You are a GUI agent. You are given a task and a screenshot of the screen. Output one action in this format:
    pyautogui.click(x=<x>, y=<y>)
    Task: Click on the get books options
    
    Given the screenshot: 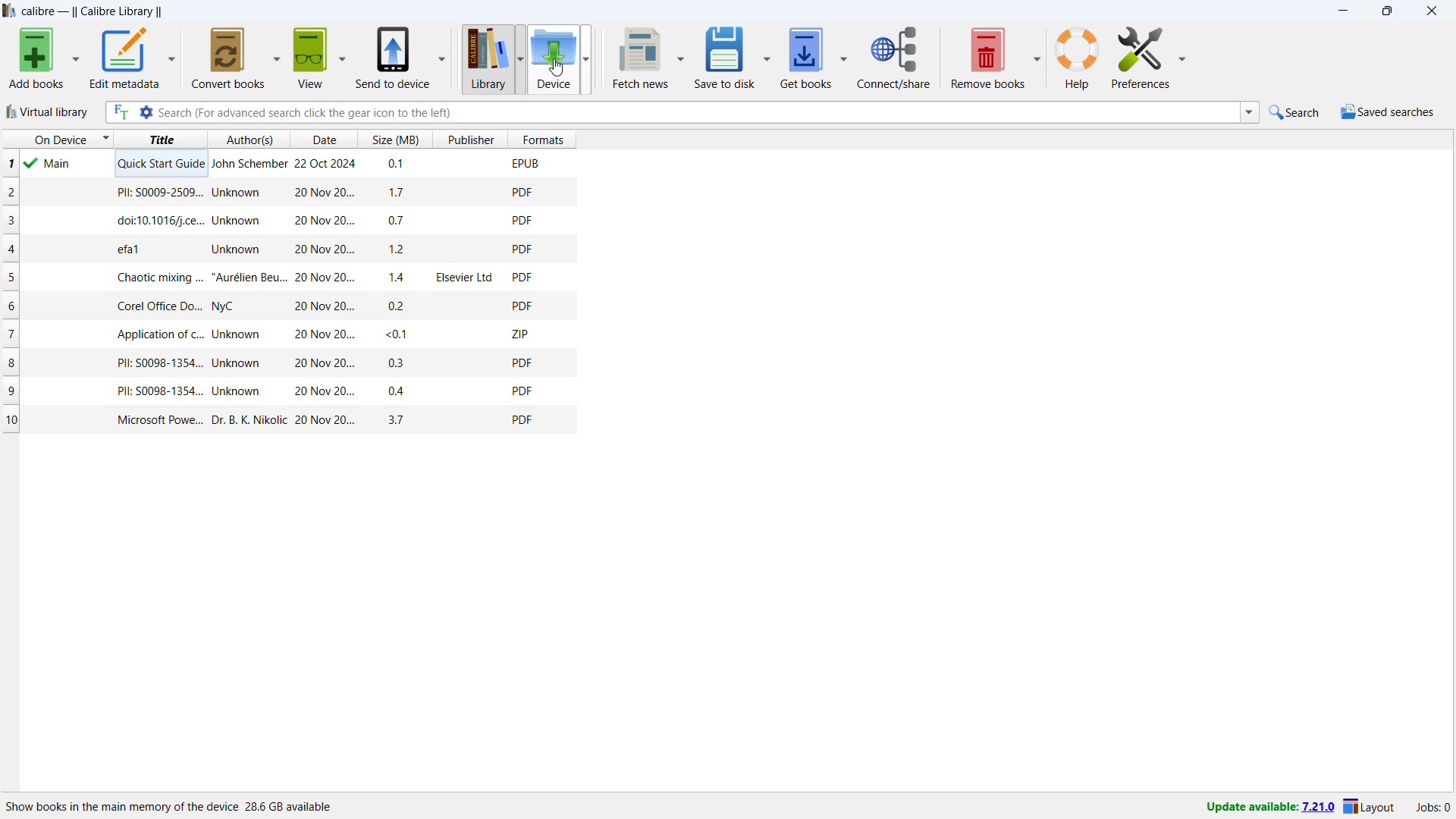 What is the action you would take?
    pyautogui.click(x=845, y=55)
    